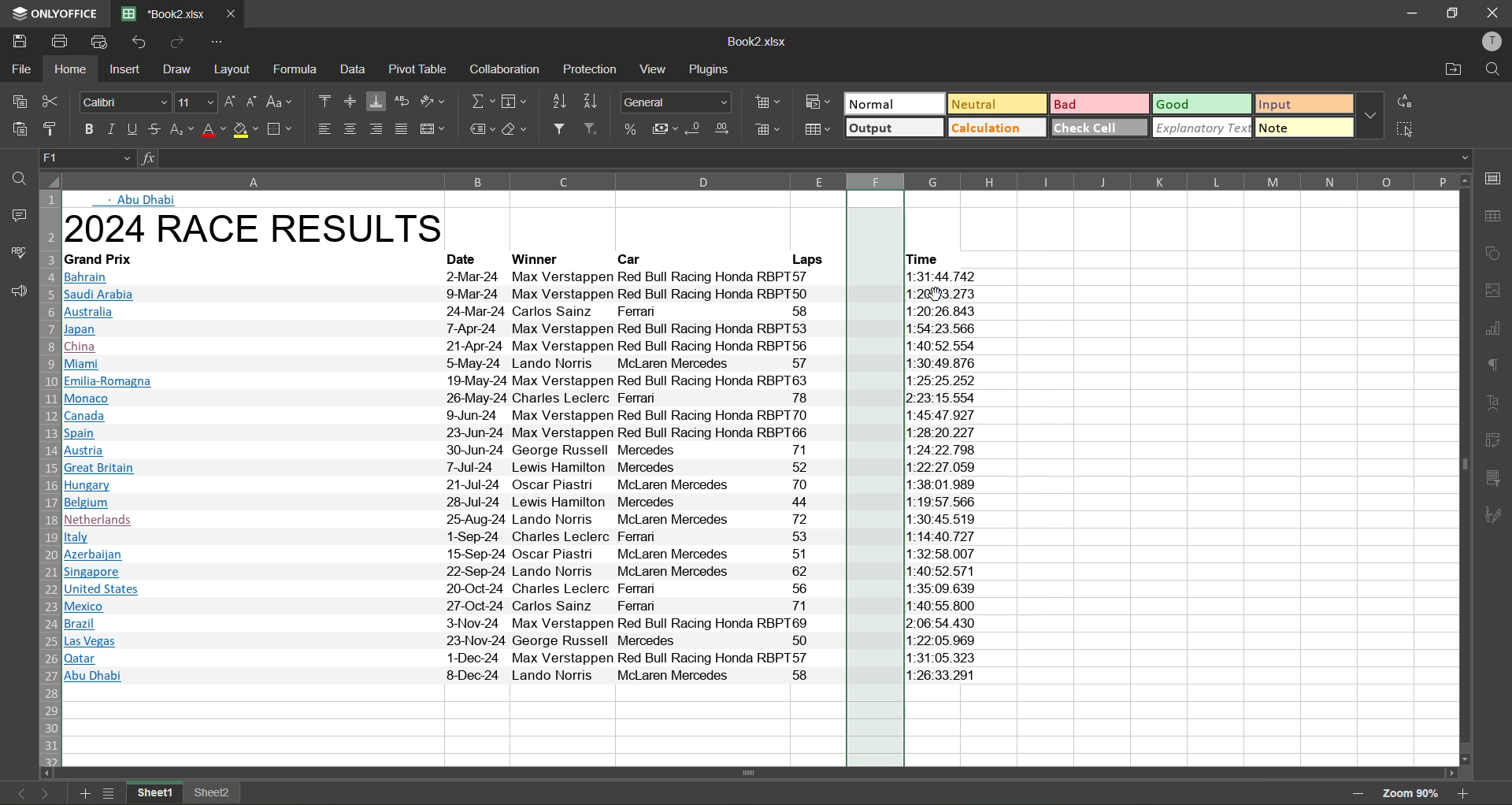  What do you see at coordinates (402, 101) in the screenshot?
I see `wrap text` at bounding box center [402, 101].